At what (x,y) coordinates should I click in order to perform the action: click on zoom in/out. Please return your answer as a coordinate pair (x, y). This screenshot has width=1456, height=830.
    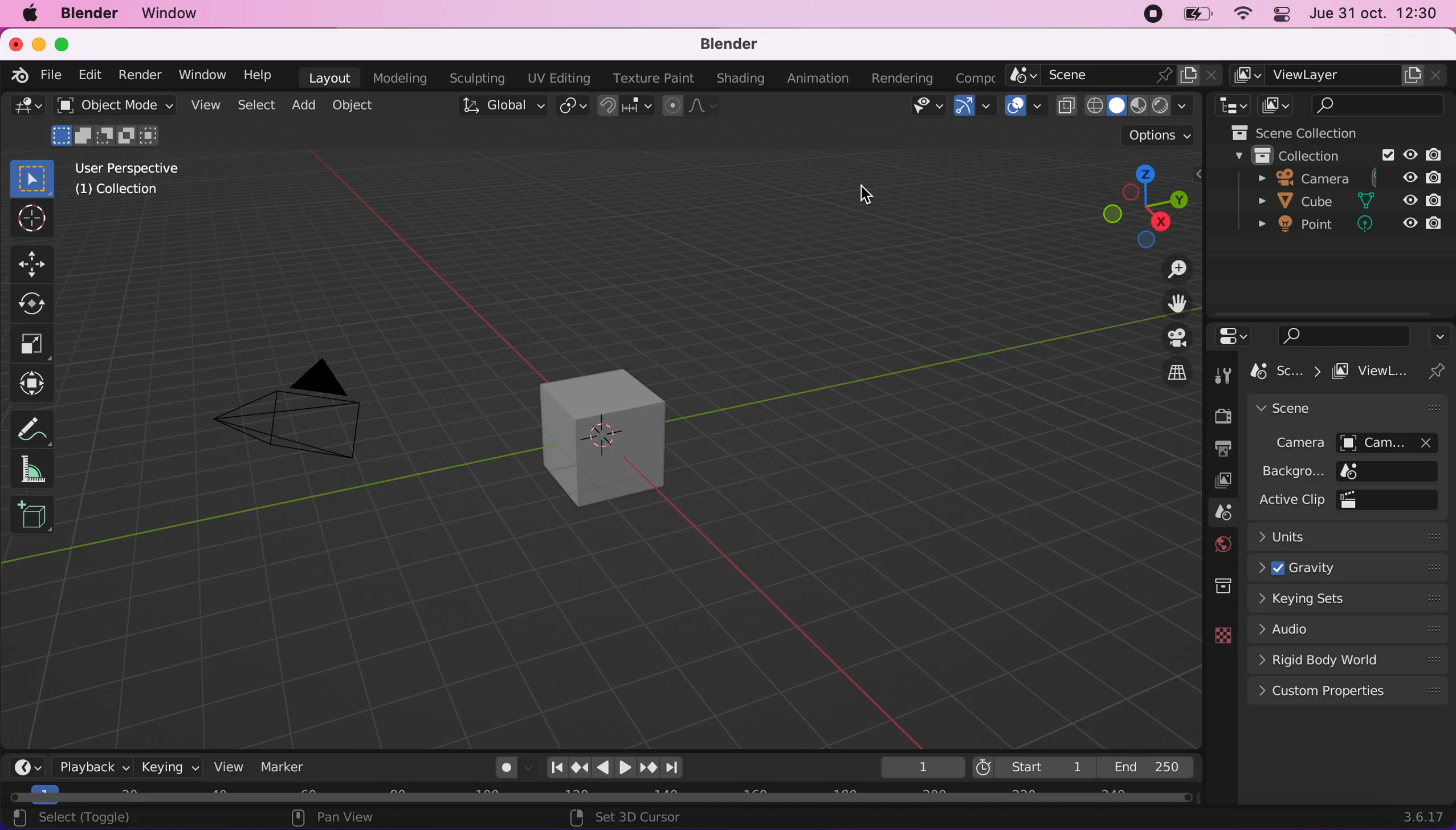
    Looking at the image, I should click on (1168, 270).